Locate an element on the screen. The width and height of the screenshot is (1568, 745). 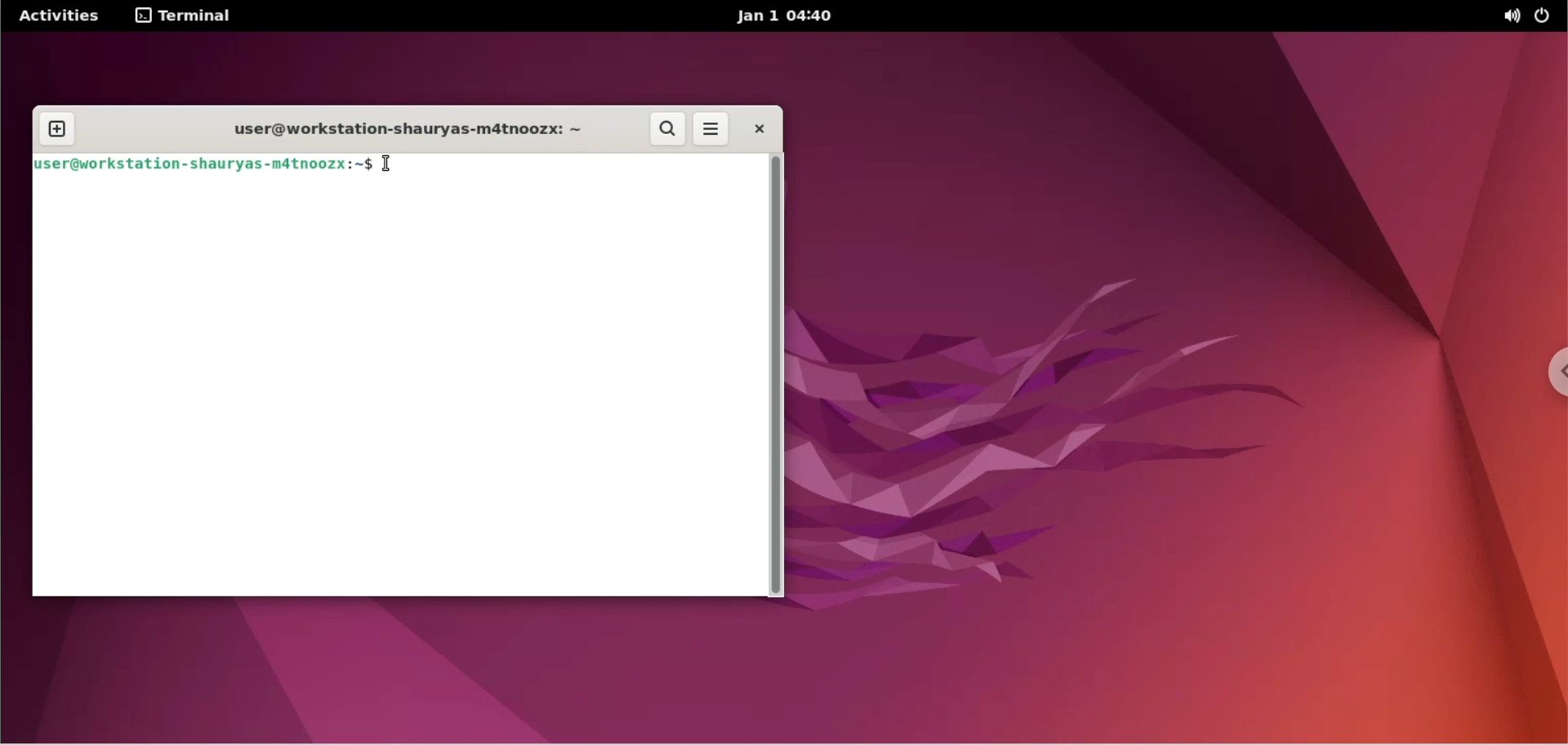
user@workstation-shauryas-matnoozx:~$ is located at coordinates (209, 164).